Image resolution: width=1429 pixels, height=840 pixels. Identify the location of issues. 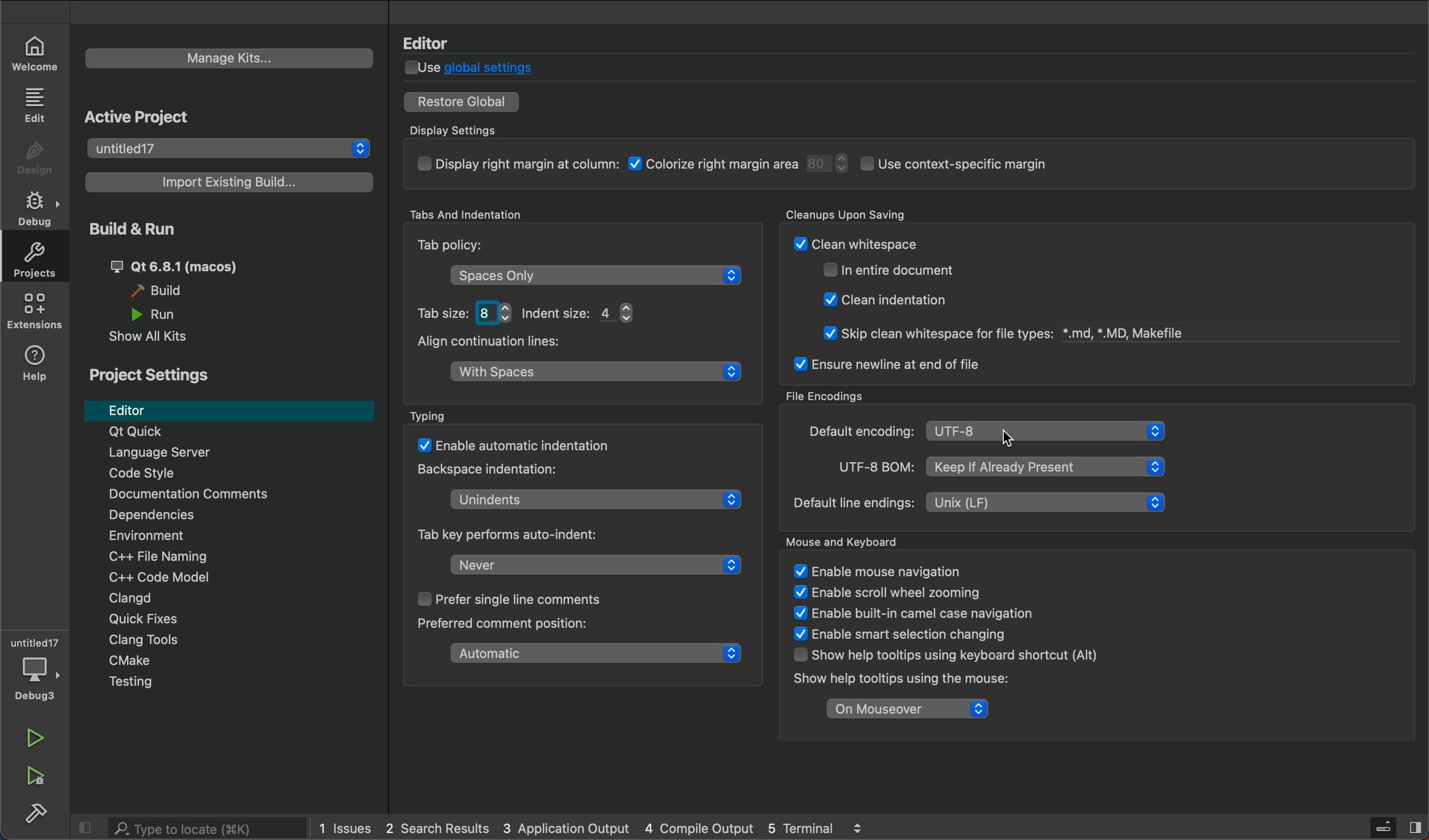
(349, 828).